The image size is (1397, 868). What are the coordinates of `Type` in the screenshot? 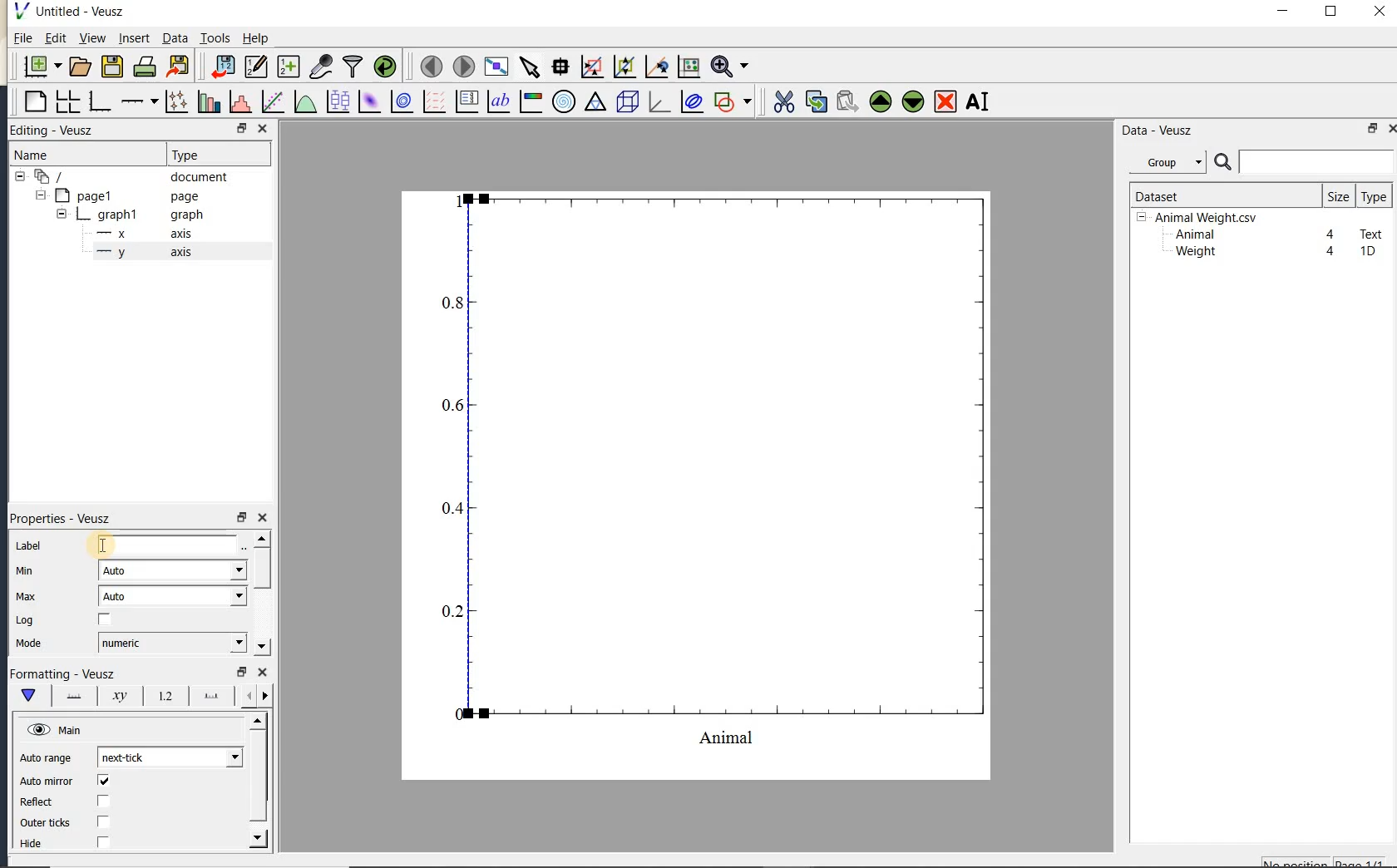 It's located at (215, 153).